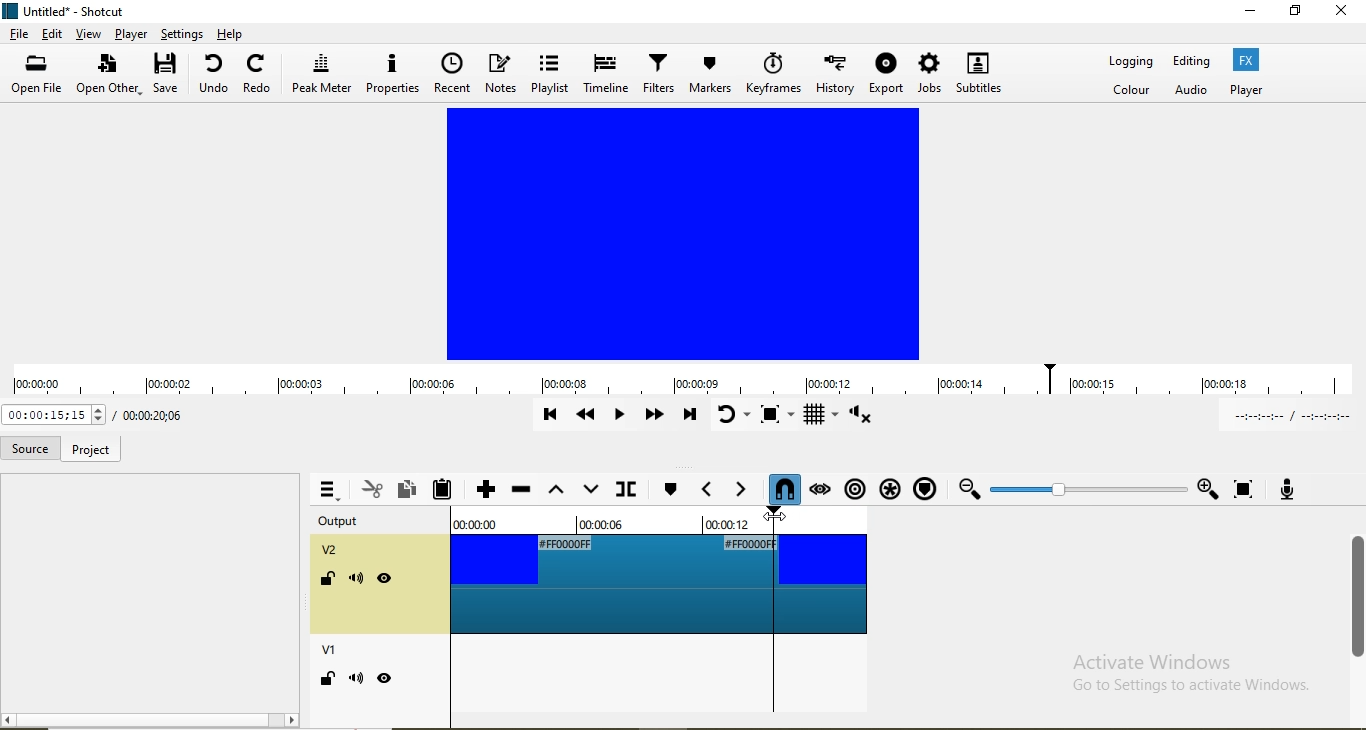  What do you see at coordinates (603, 73) in the screenshot?
I see `timeline` at bounding box center [603, 73].